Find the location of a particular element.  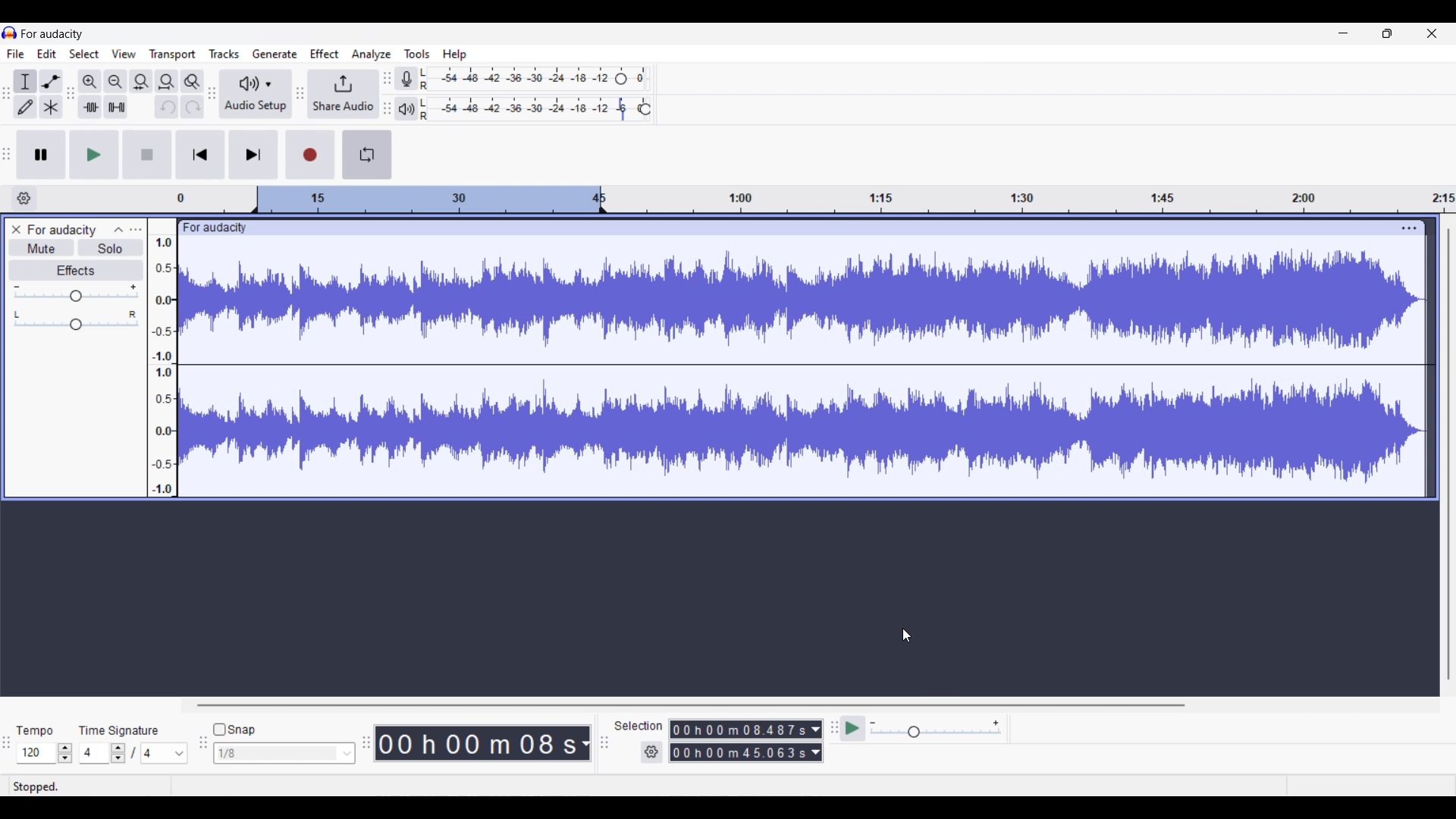

Tempo settings is located at coordinates (34, 731).